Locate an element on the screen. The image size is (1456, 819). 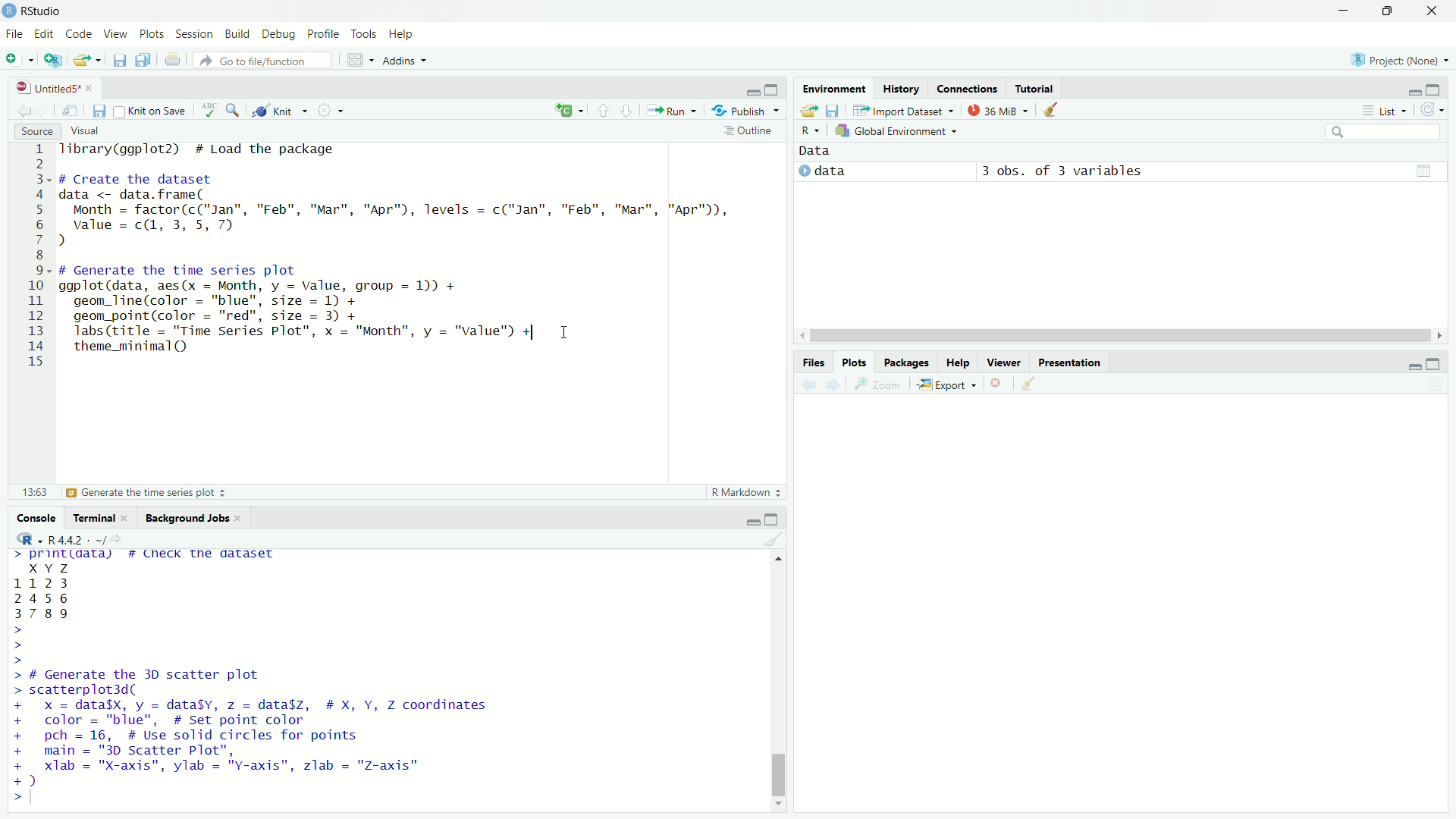
minimize is located at coordinates (1408, 362).